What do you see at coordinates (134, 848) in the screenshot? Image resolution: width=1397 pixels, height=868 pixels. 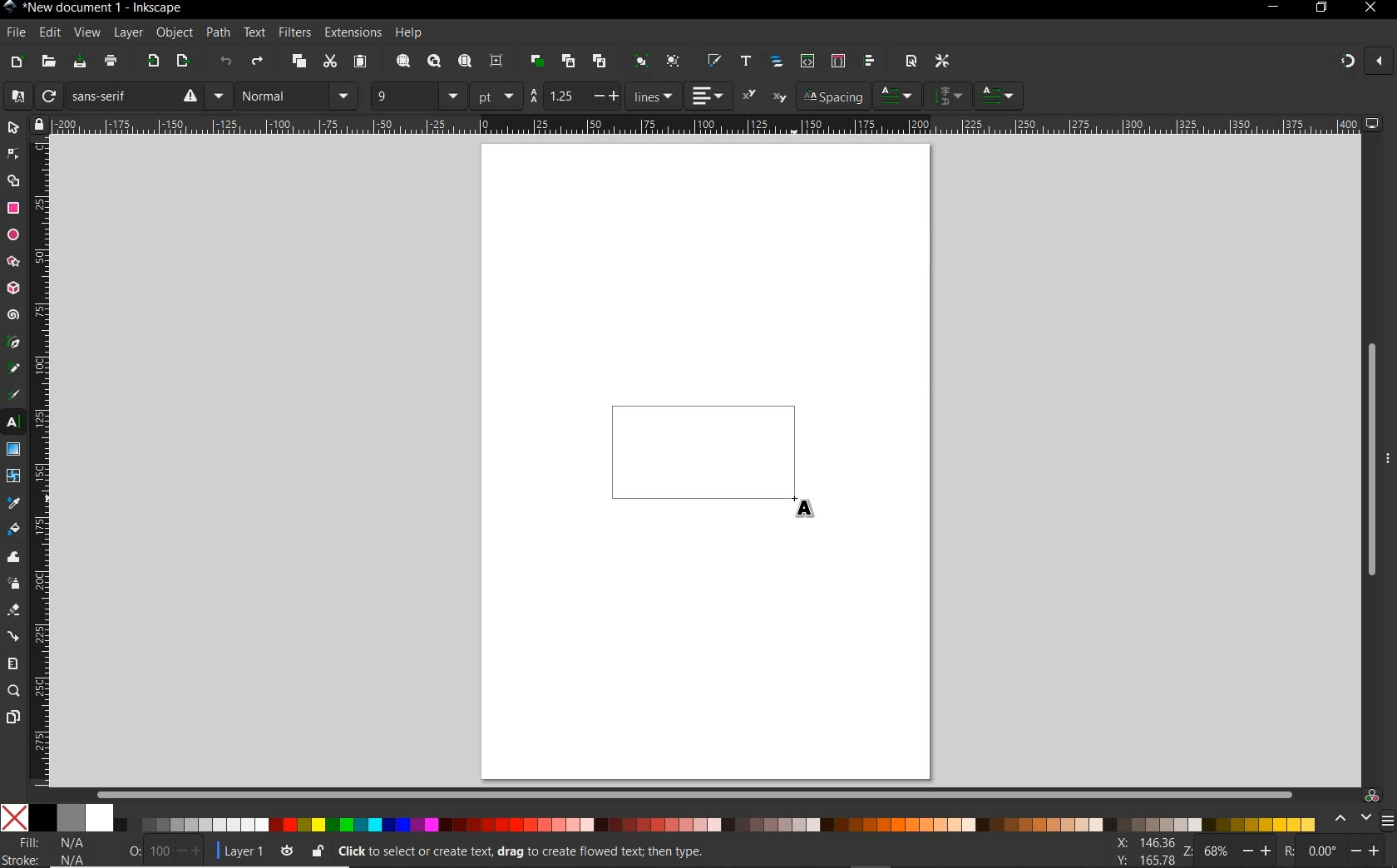 I see `0` at bounding box center [134, 848].